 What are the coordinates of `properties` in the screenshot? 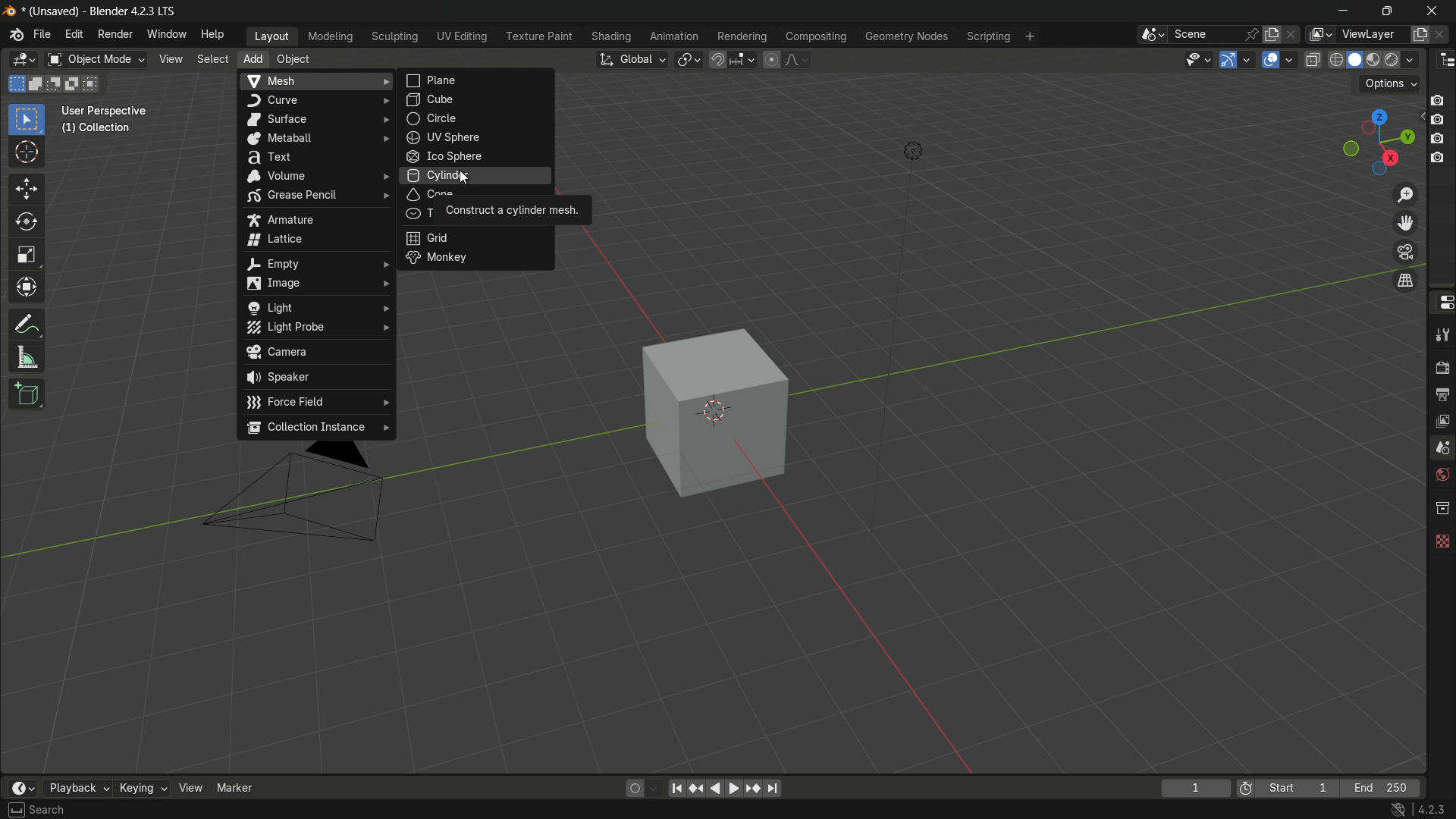 It's located at (1442, 303).